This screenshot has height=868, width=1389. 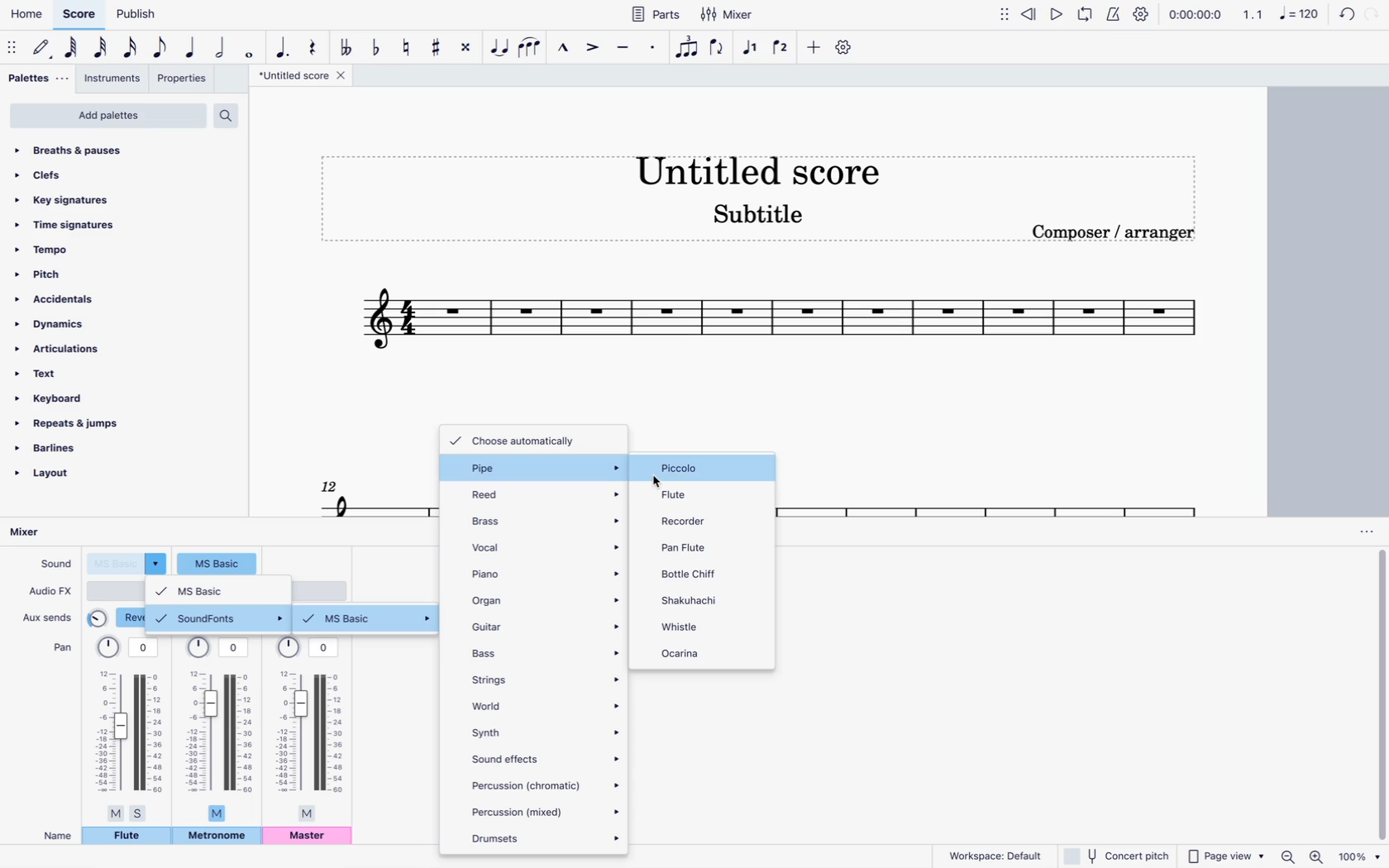 I want to click on choose automatically, so click(x=522, y=440).